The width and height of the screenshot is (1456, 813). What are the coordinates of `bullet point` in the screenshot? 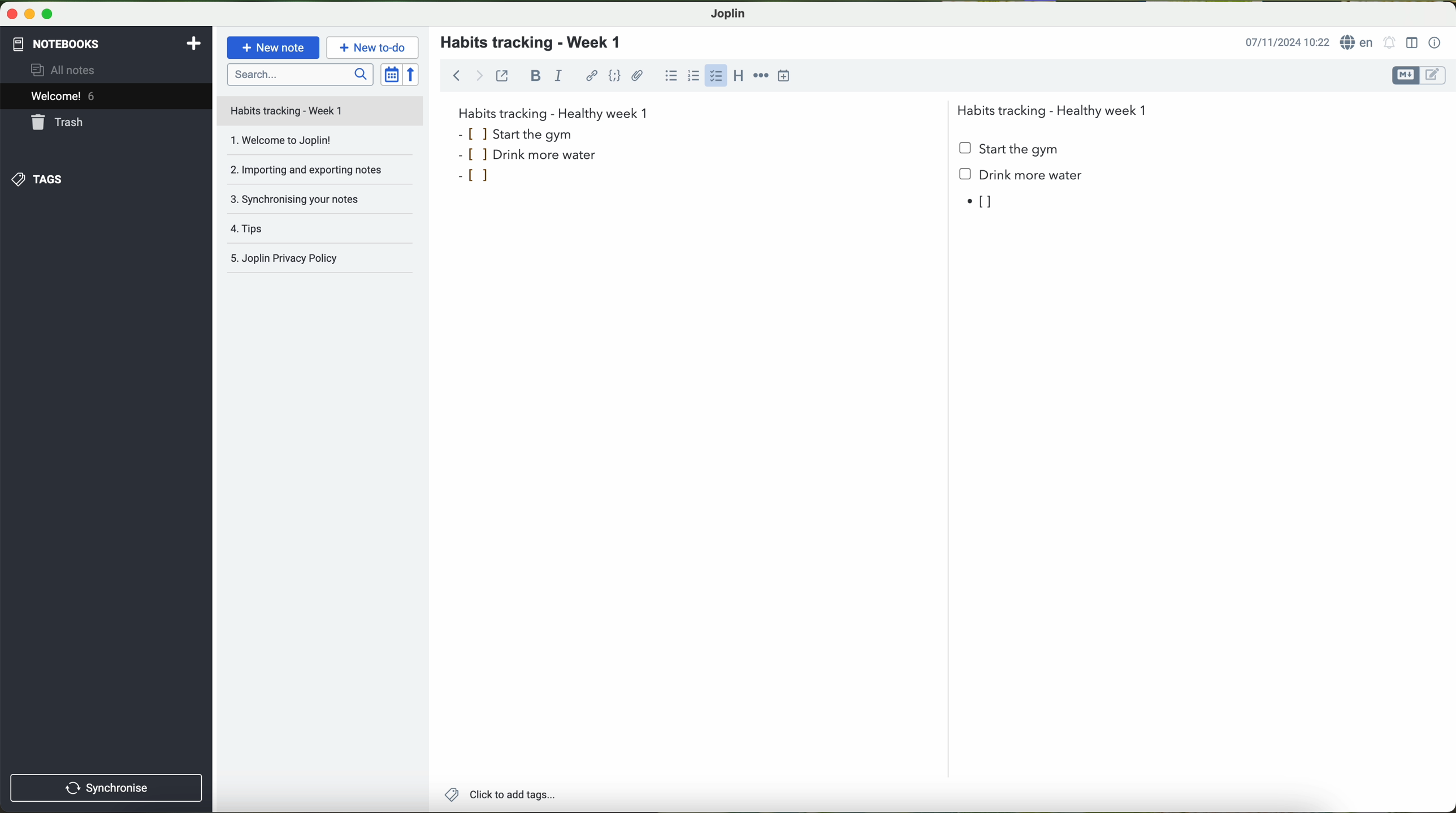 It's located at (482, 177).